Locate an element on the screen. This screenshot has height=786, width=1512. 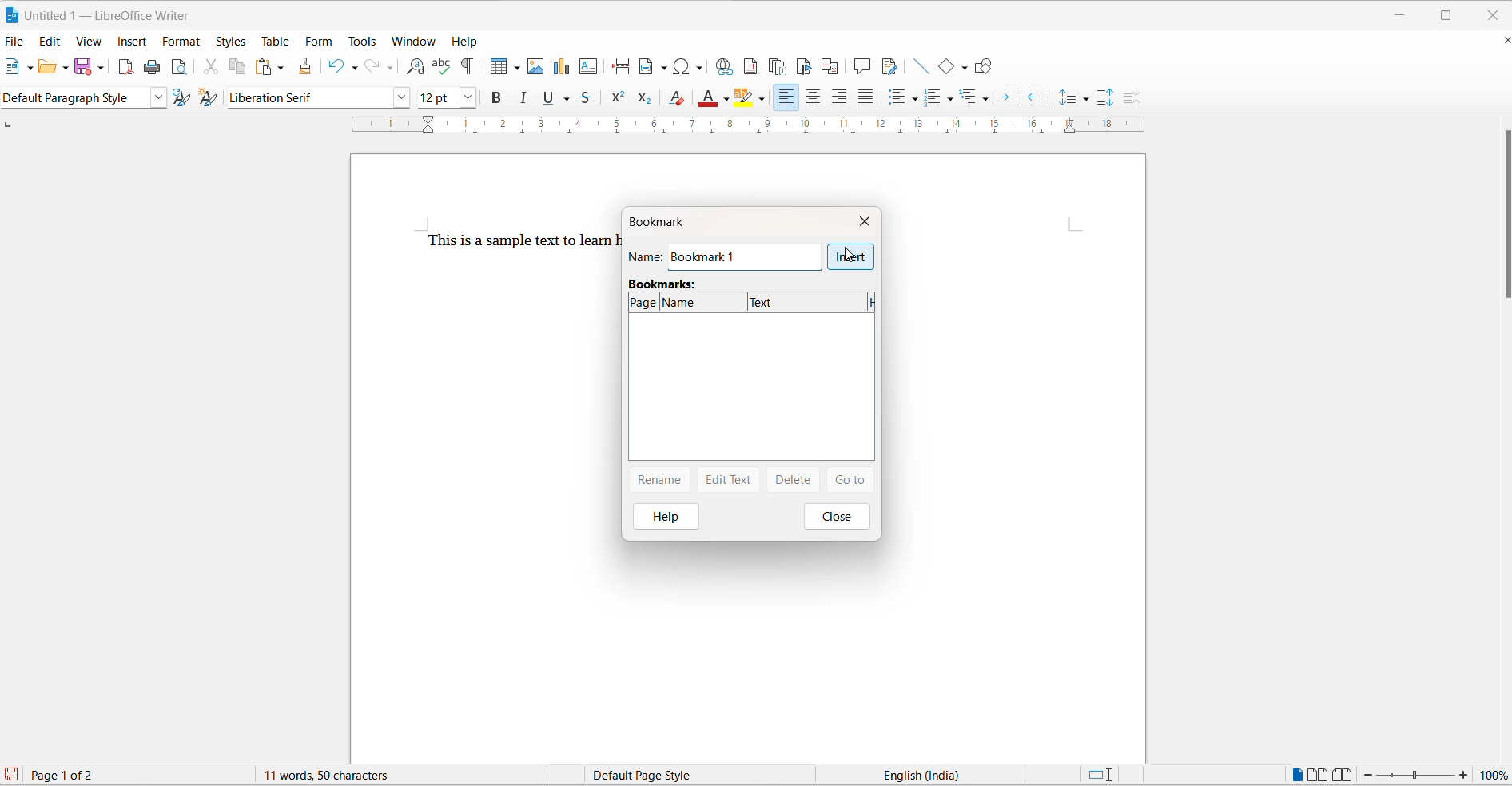
bookmark name is located at coordinates (742, 260).